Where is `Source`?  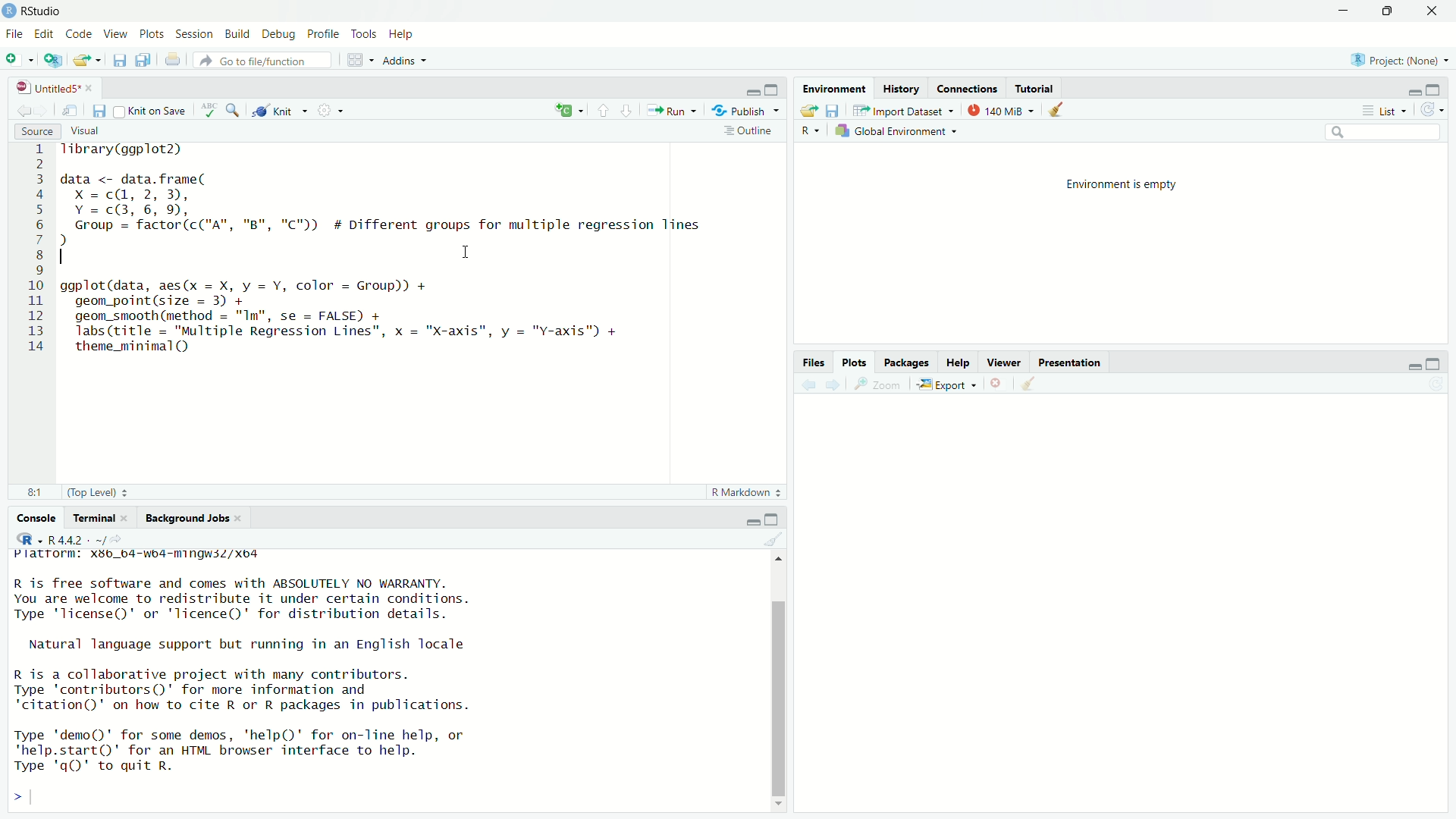 Source is located at coordinates (36, 132).